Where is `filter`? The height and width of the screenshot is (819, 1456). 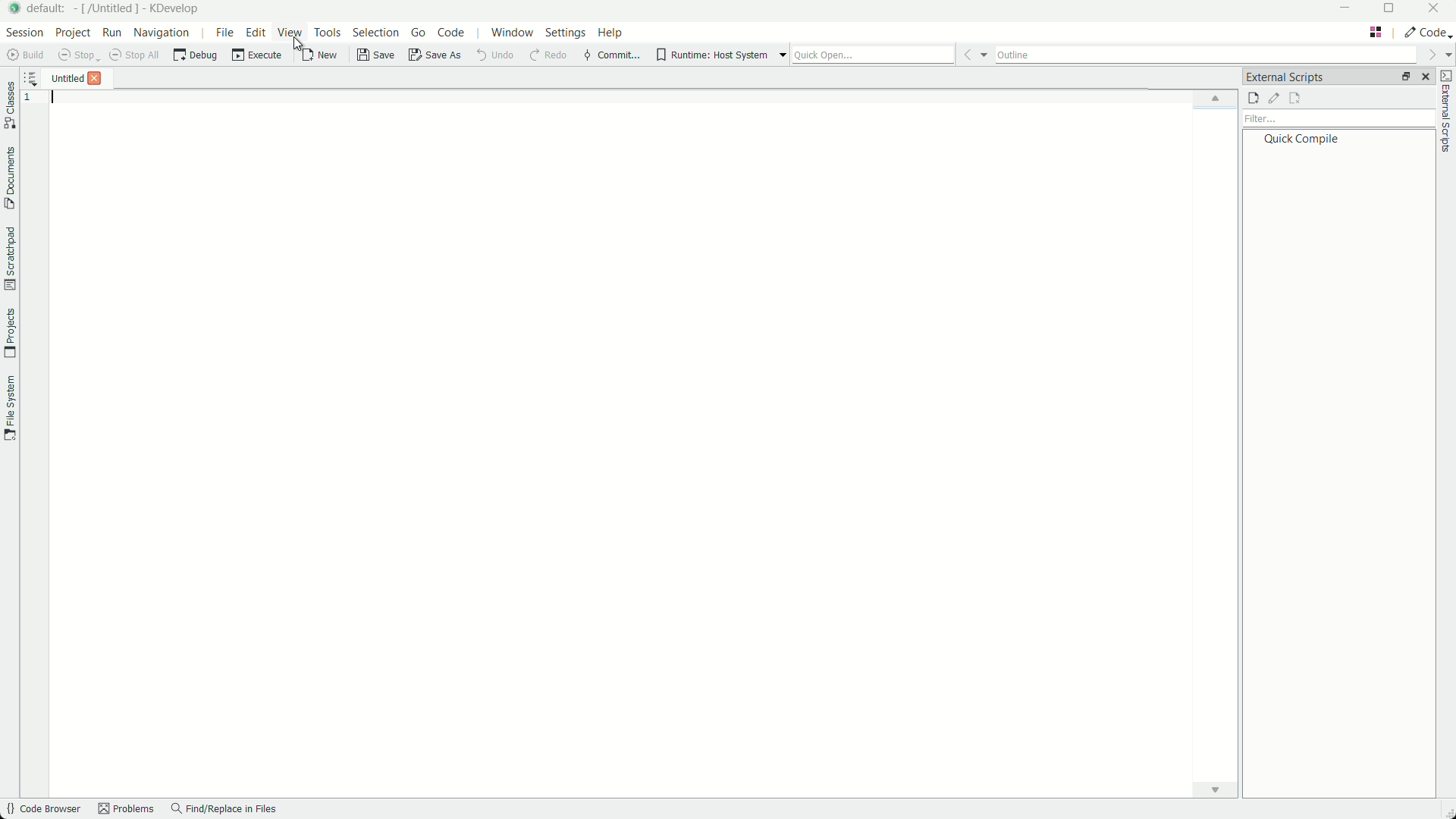 filter is located at coordinates (1337, 120).